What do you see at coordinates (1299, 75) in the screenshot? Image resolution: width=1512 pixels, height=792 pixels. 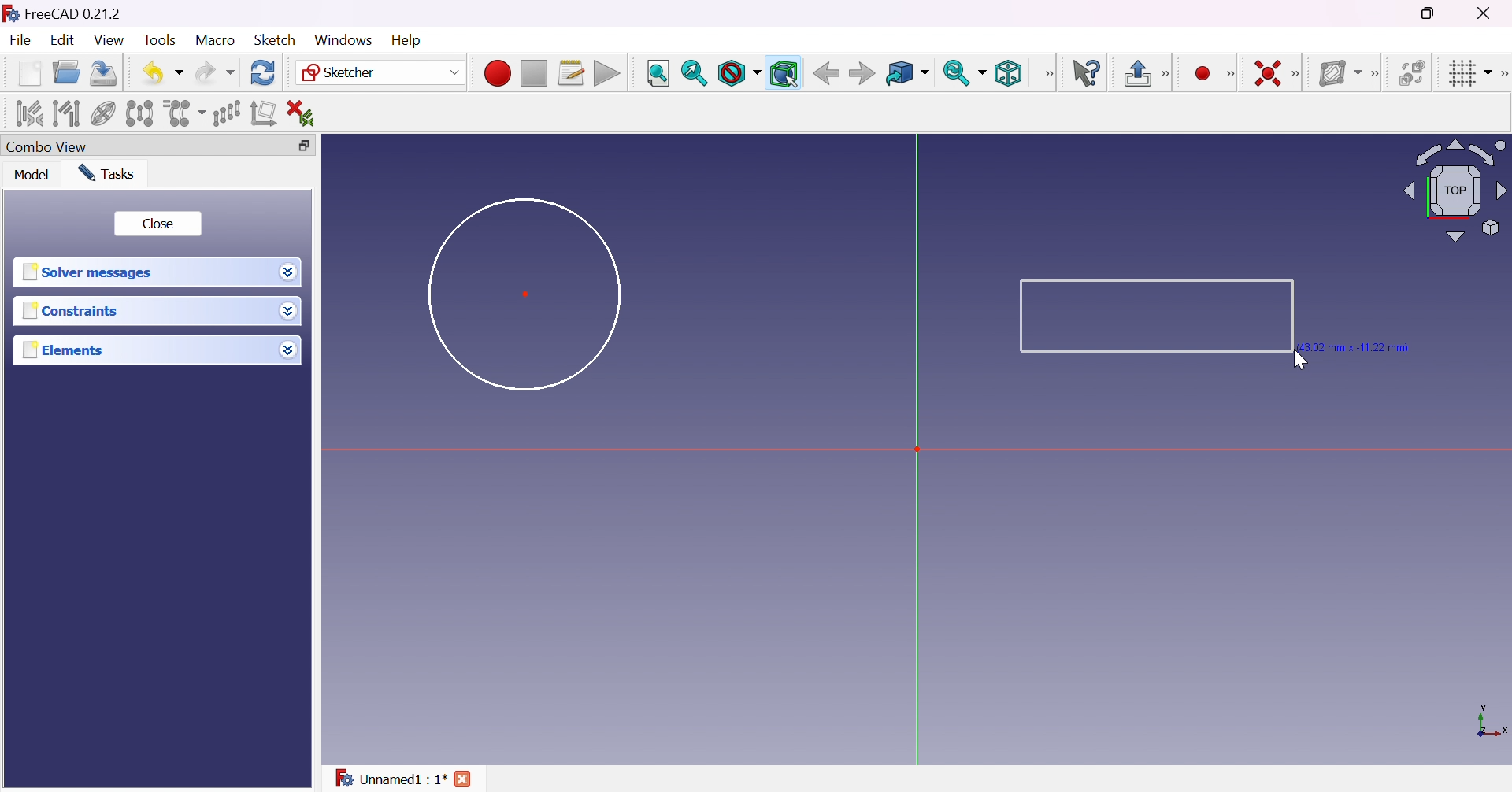 I see `[Sketcher constraints]` at bounding box center [1299, 75].